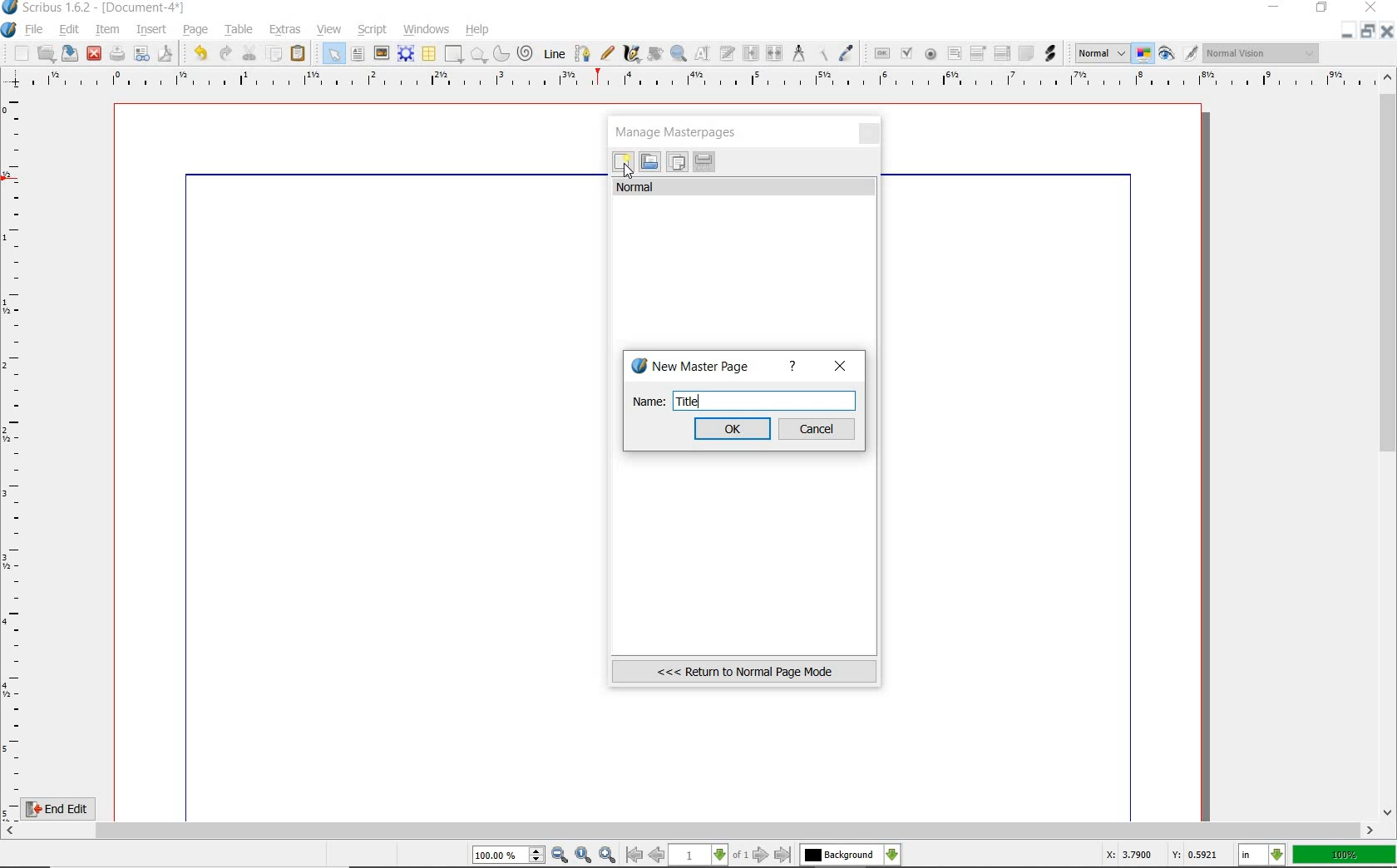  Describe the element at coordinates (426, 28) in the screenshot. I see `windows` at that location.